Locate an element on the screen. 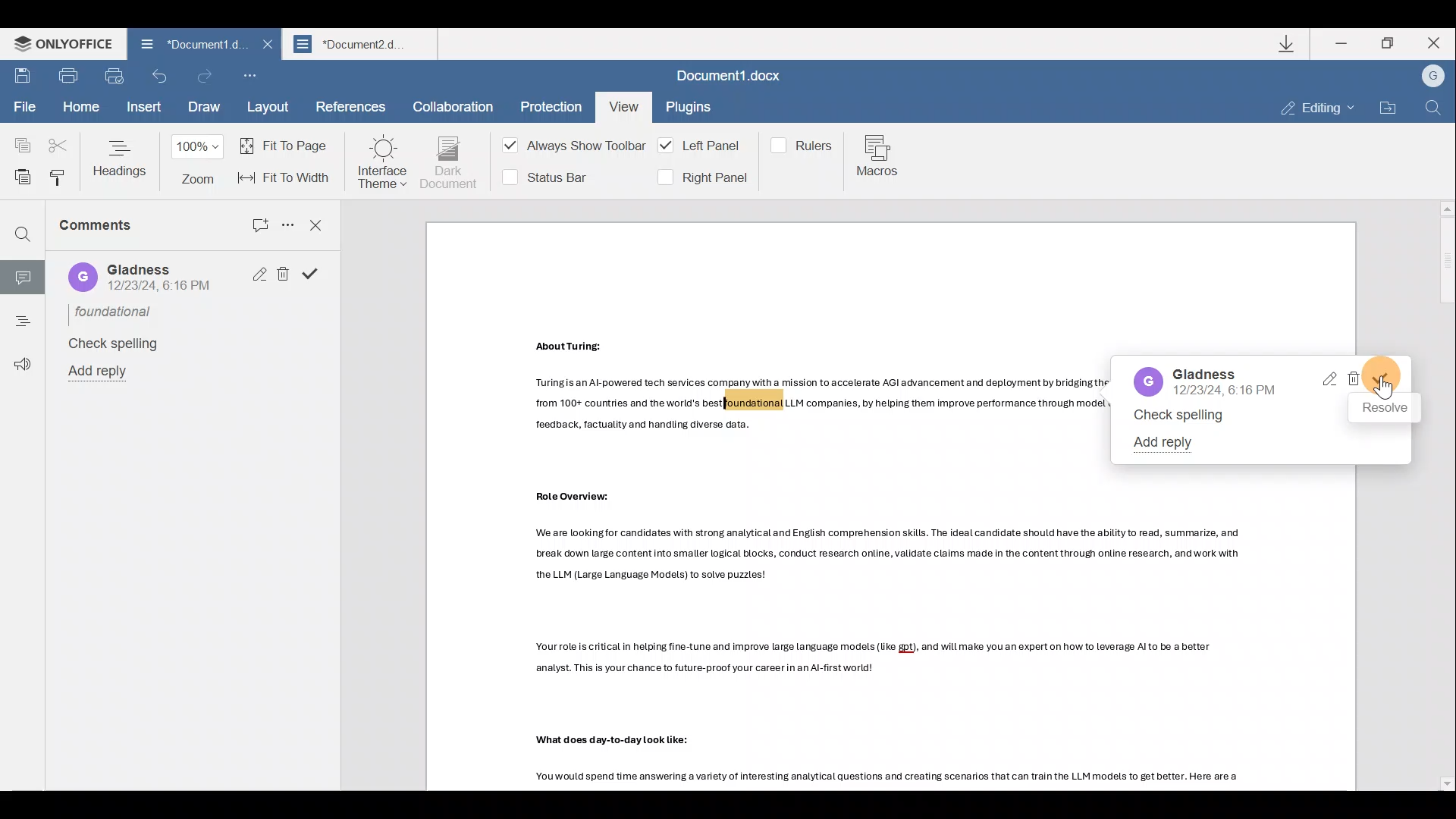 Image resolution: width=1456 pixels, height=819 pixels. Quick print is located at coordinates (118, 77).